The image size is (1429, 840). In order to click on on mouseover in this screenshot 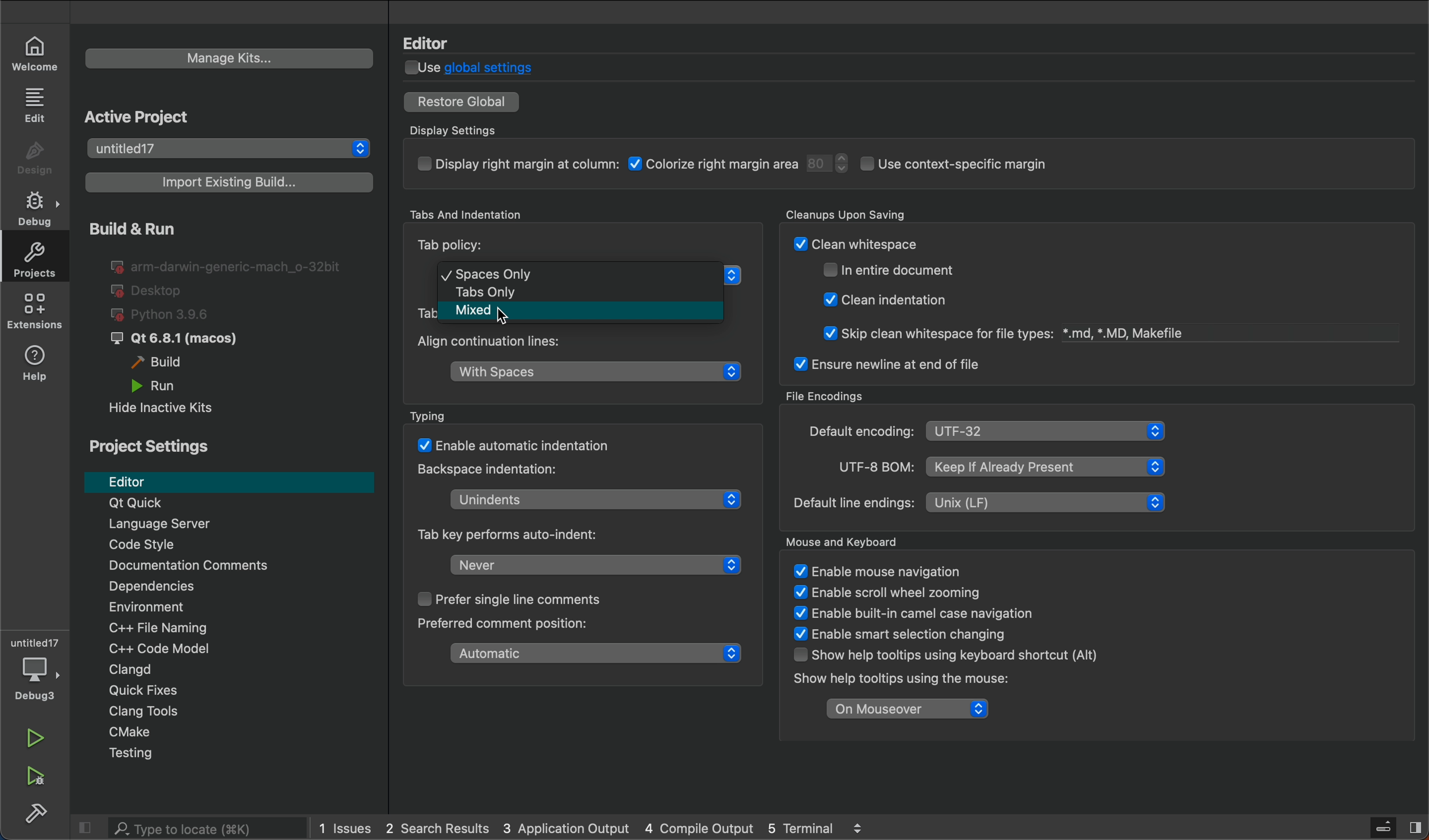, I will do `click(904, 709)`.